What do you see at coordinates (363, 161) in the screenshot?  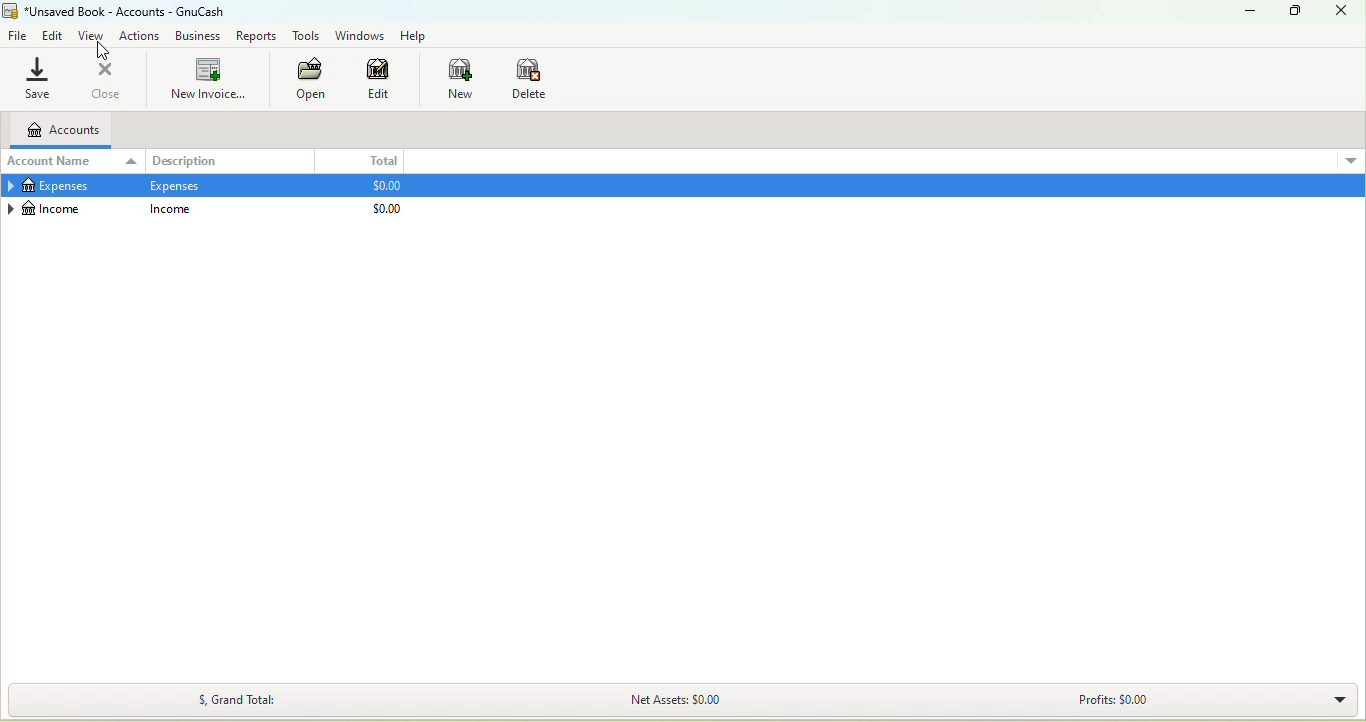 I see `Total` at bounding box center [363, 161].